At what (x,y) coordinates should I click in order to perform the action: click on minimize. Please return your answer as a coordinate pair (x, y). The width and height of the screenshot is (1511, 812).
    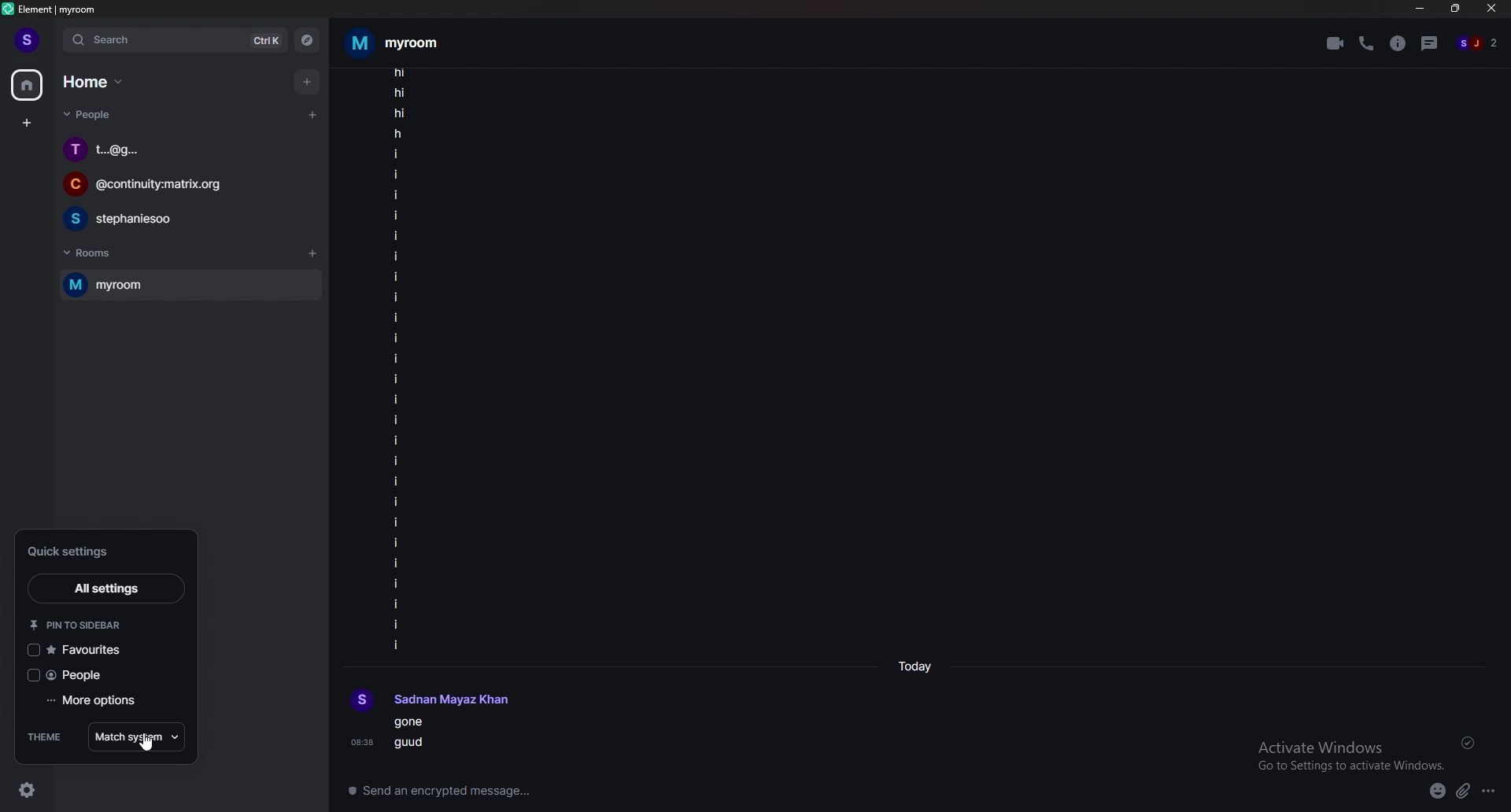
    Looking at the image, I should click on (1419, 9).